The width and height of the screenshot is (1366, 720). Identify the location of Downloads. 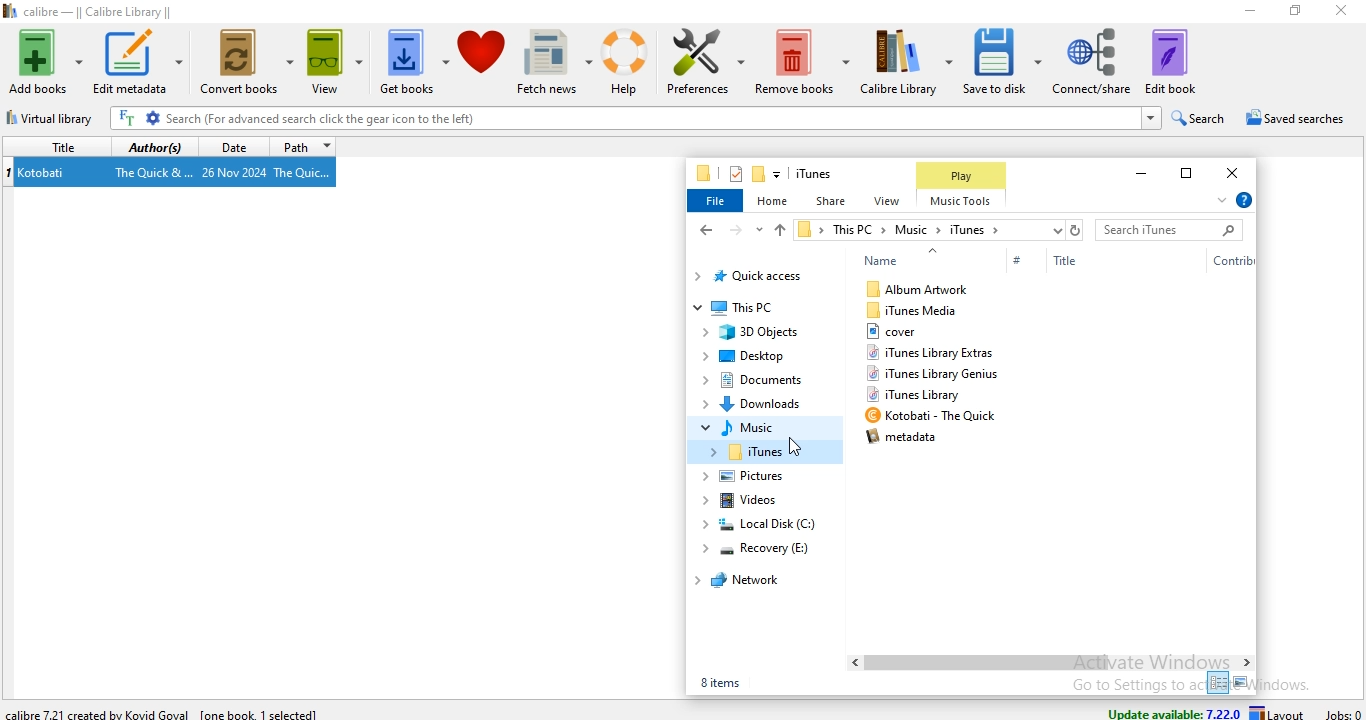
(760, 402).